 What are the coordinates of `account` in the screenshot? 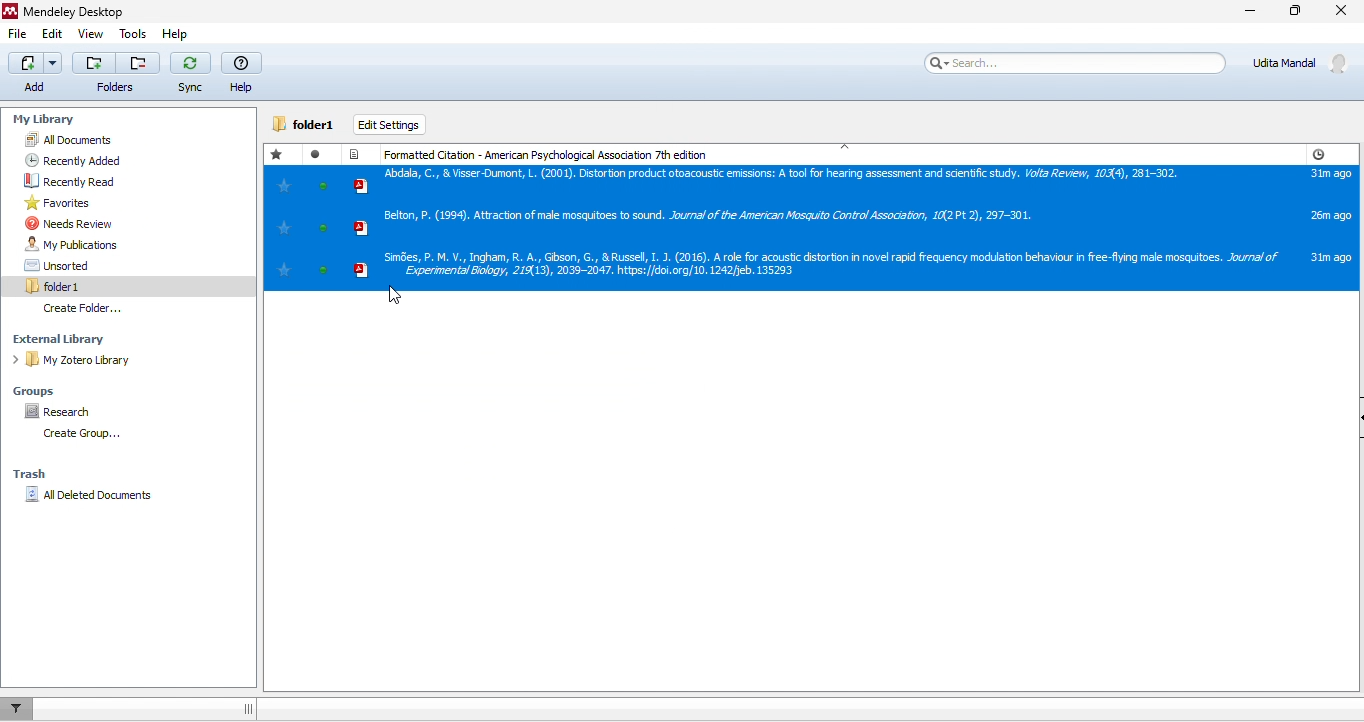 It's located at (1303, 63).